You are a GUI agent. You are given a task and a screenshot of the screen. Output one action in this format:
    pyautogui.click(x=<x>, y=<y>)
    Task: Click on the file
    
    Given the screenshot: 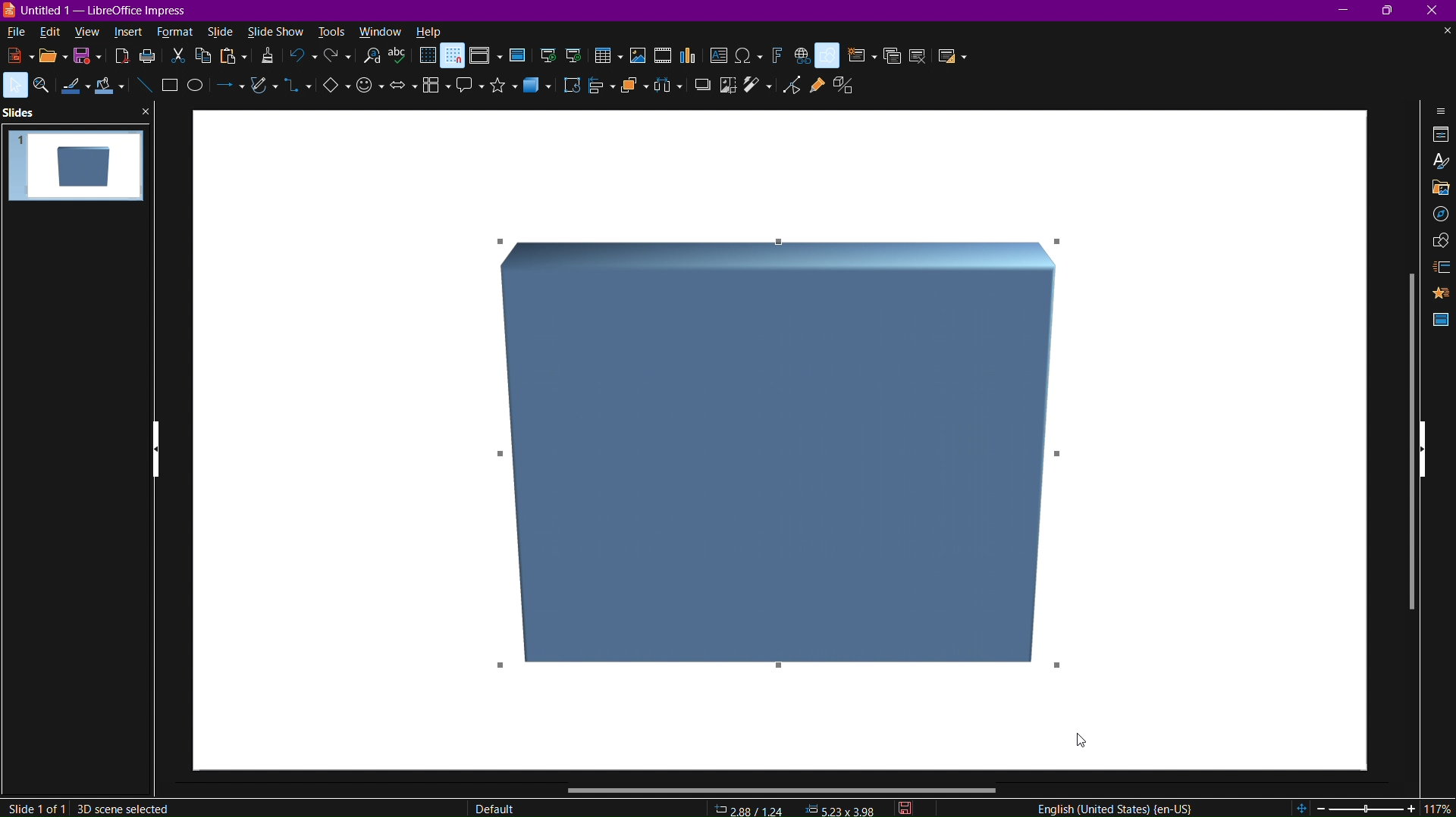 What is the action you would take?
    pyautogui.click(x=14, y=33)
    